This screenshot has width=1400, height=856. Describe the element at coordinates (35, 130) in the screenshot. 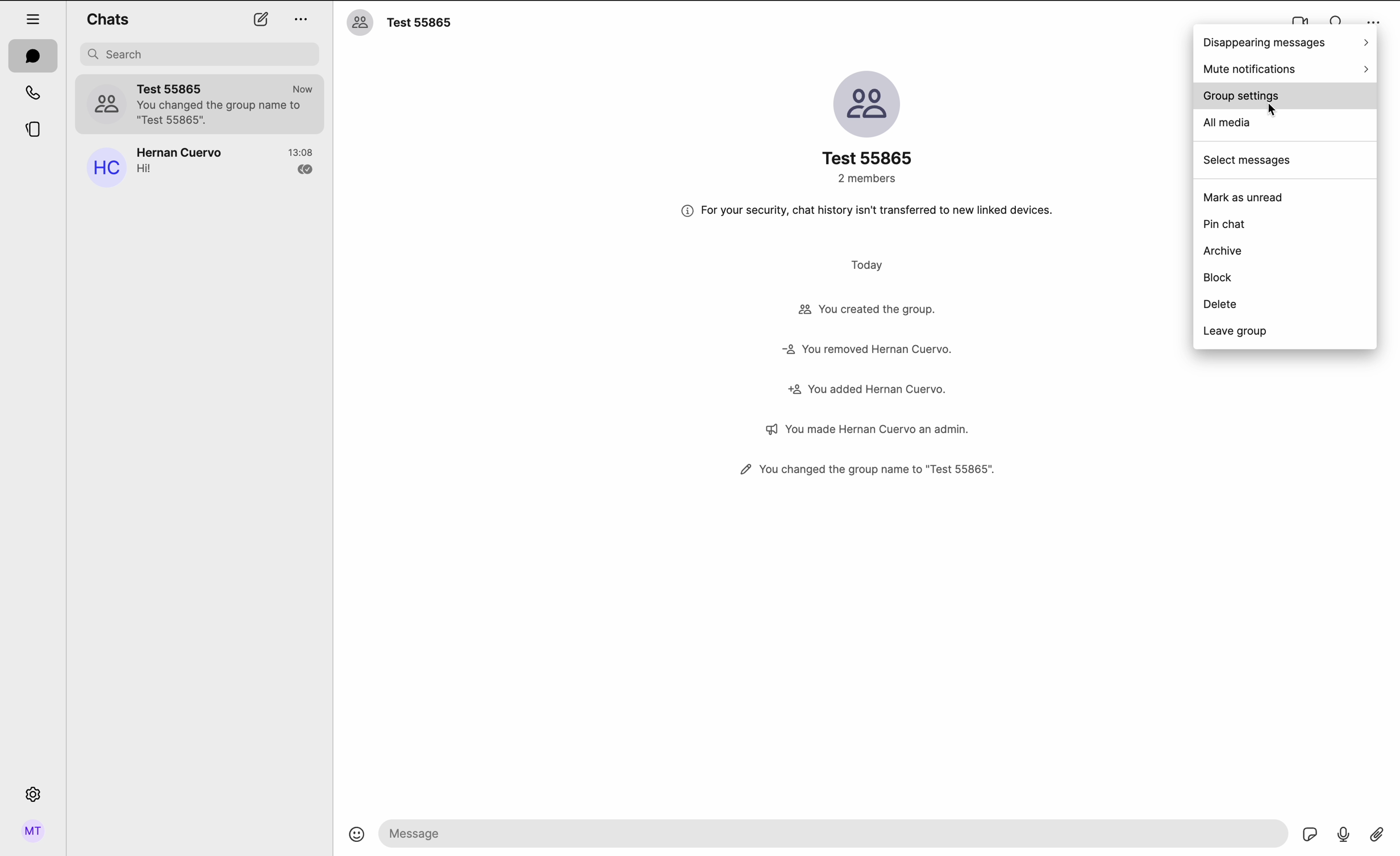

I see `threads` at that location.